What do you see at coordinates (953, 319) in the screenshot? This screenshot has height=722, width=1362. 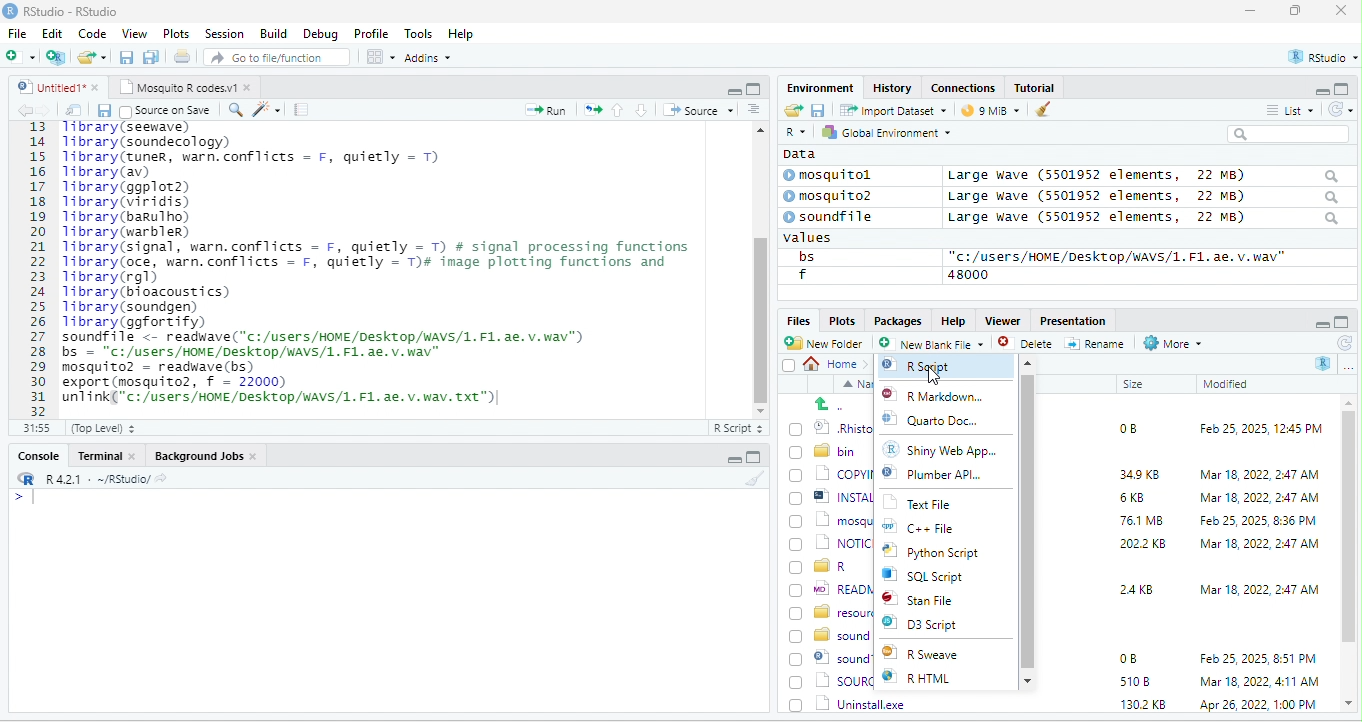 I see `Help` at bounding box center [953, 319].